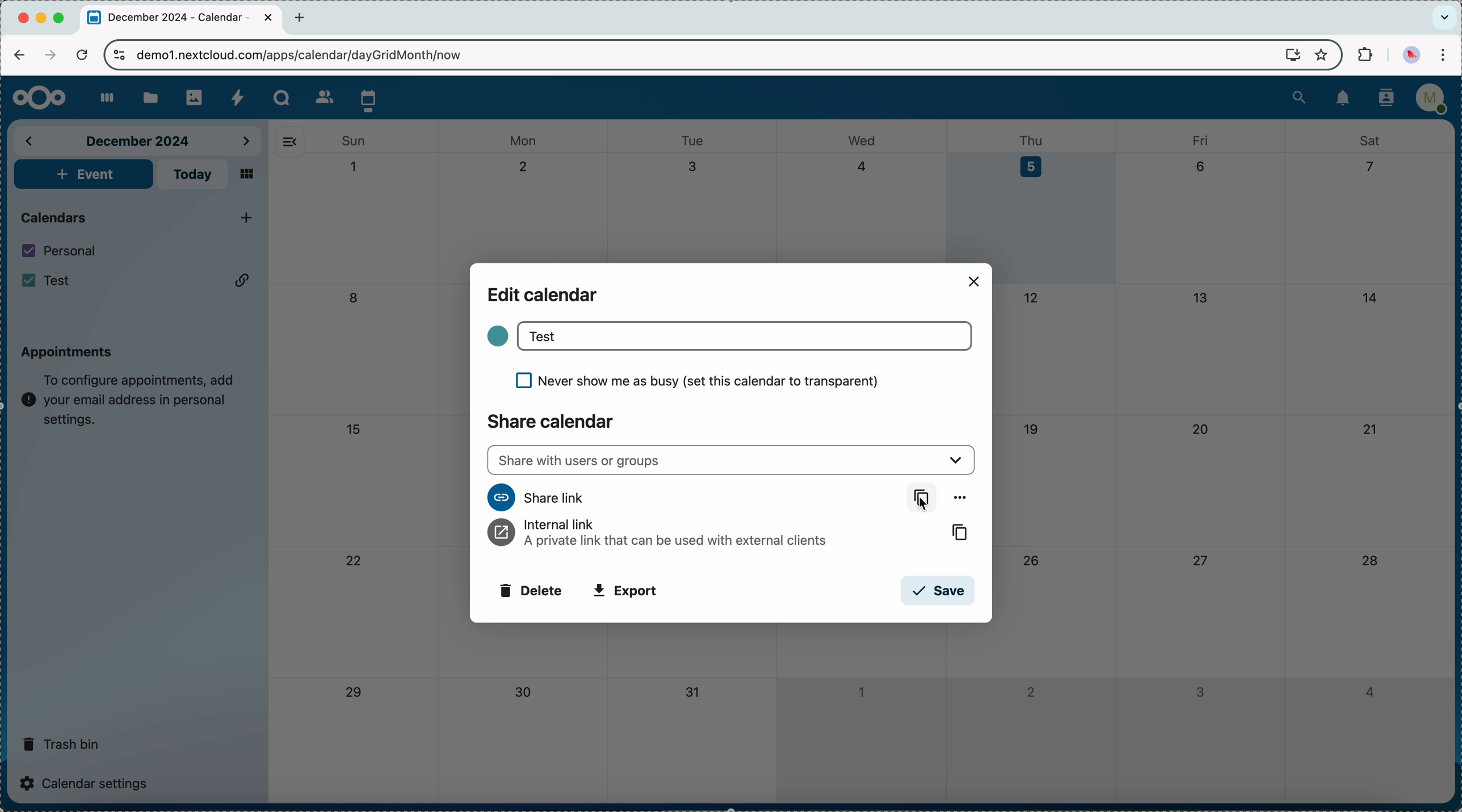  What do you see at coordinates (1447, 56) in the screenshot?
I see `customize and control Google Chrome` at bounding box center [1447, 56].